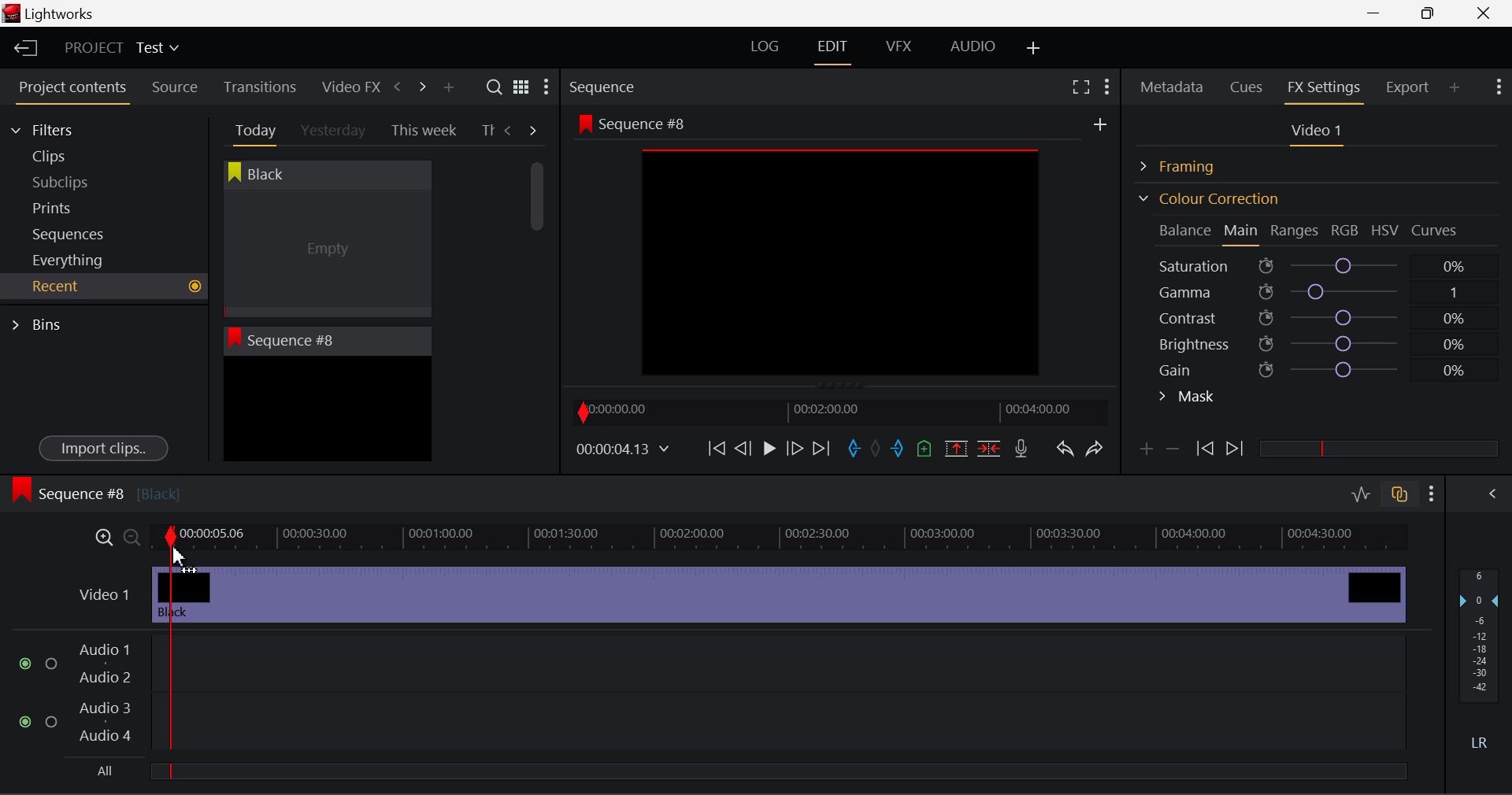  Describe the element at coordinates (1314, 263) in the screenshot. I see `Saturation` at that location.